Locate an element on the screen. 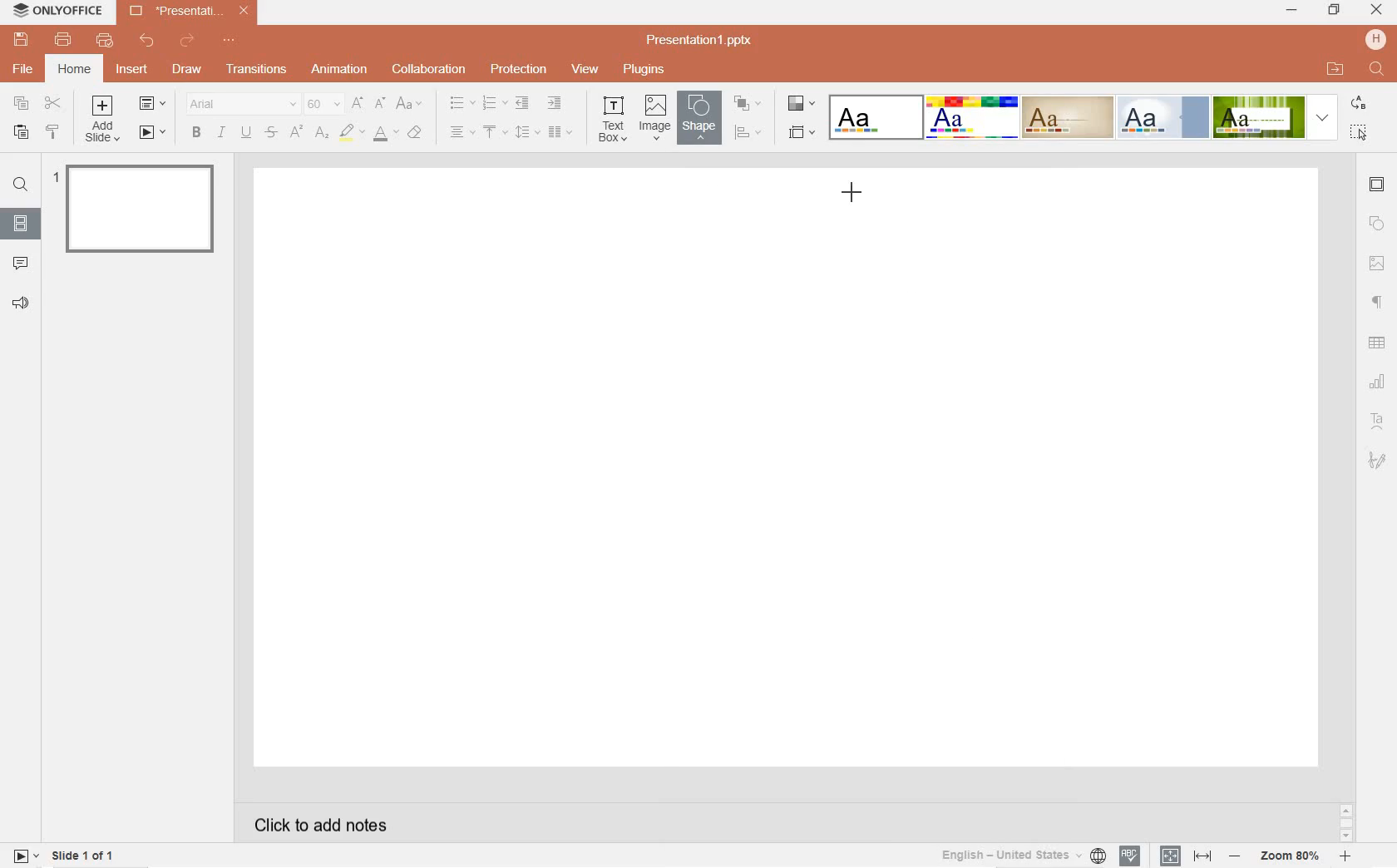  collaboration is located at coordinates (430, 69).